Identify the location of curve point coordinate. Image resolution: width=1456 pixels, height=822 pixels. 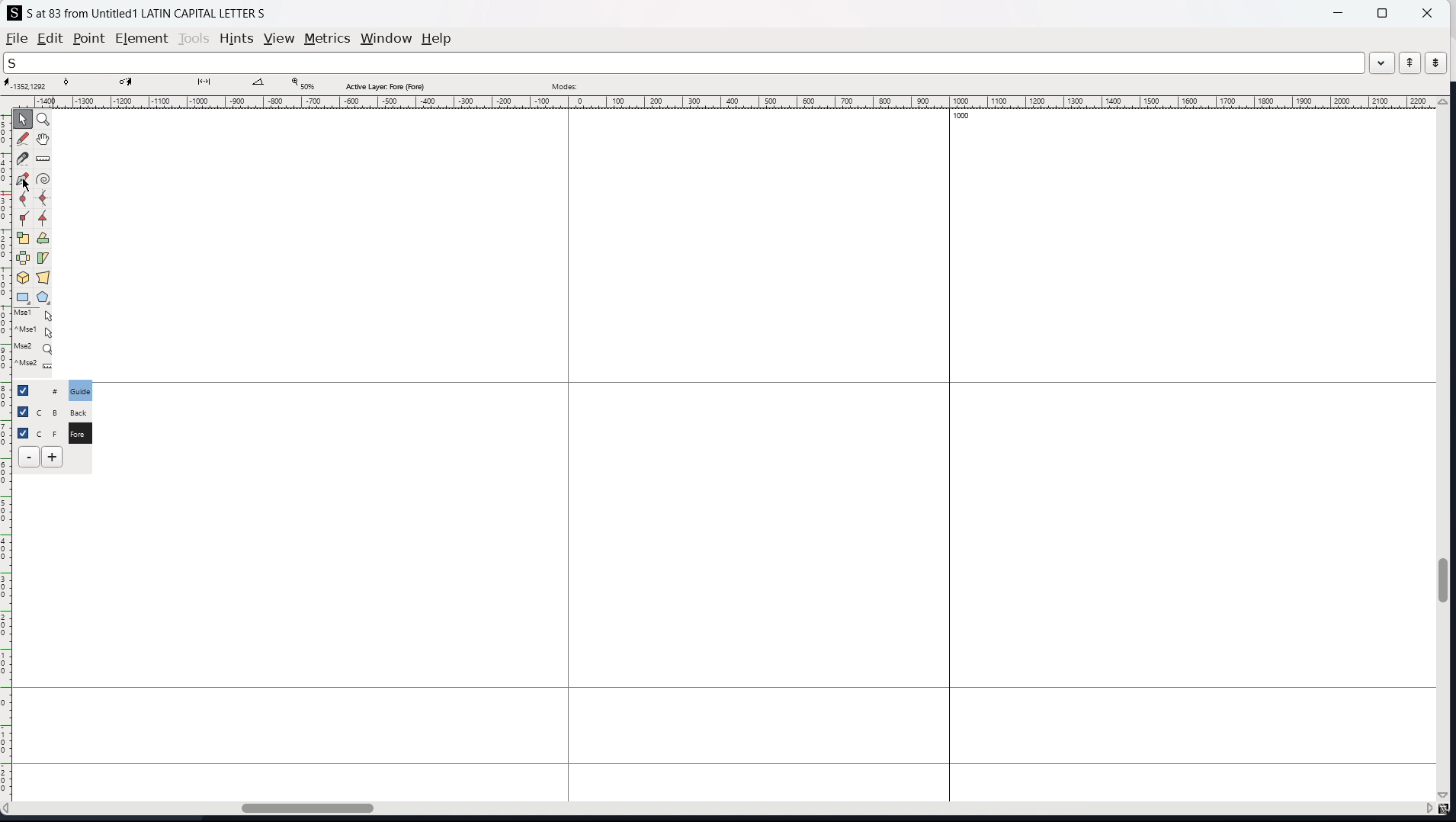
(72, 85).